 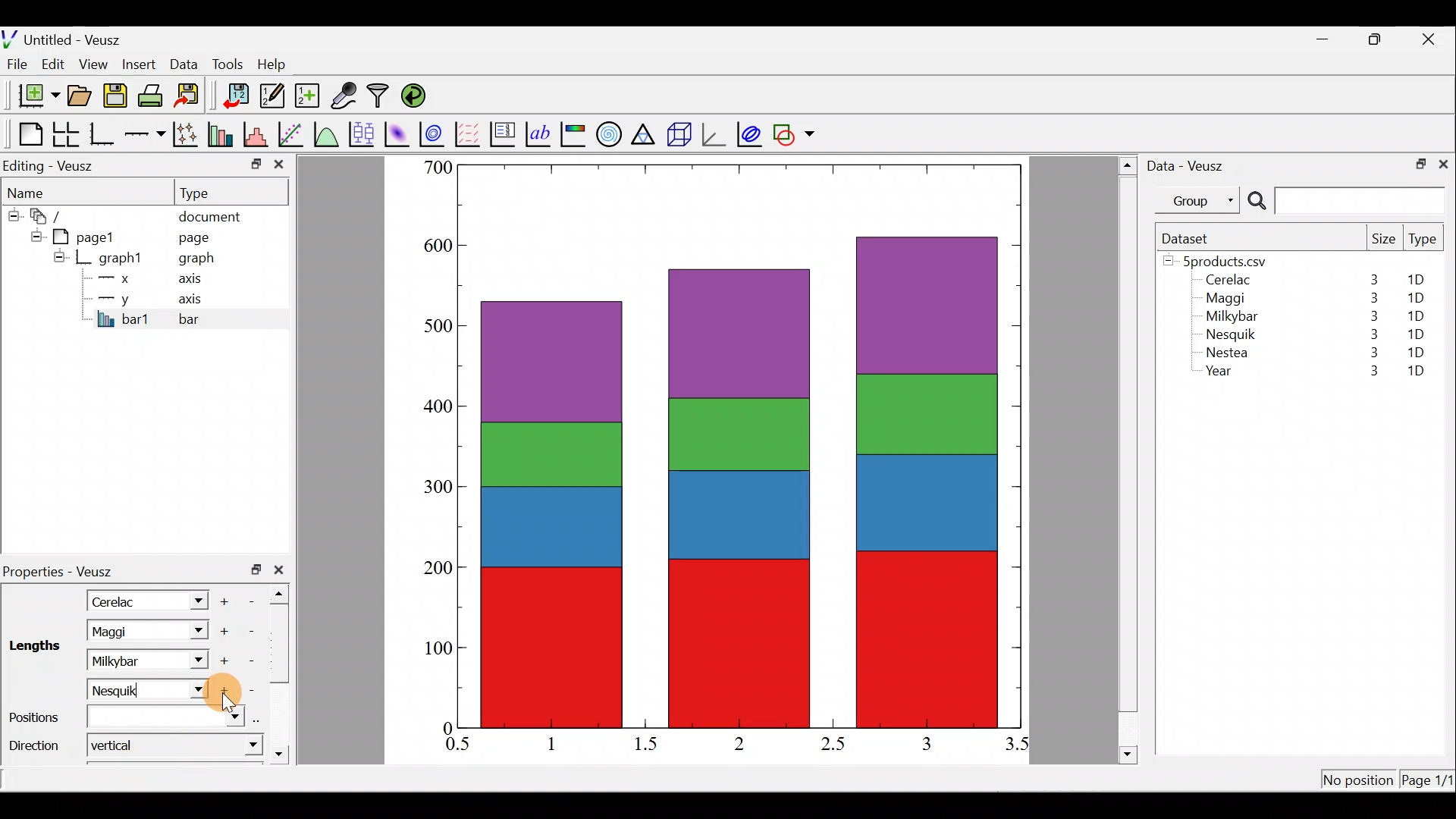 What do you see at coordinates (470, 134) in the screenshot?
I see `Plot a vector field` at bounding box center [470, 134].